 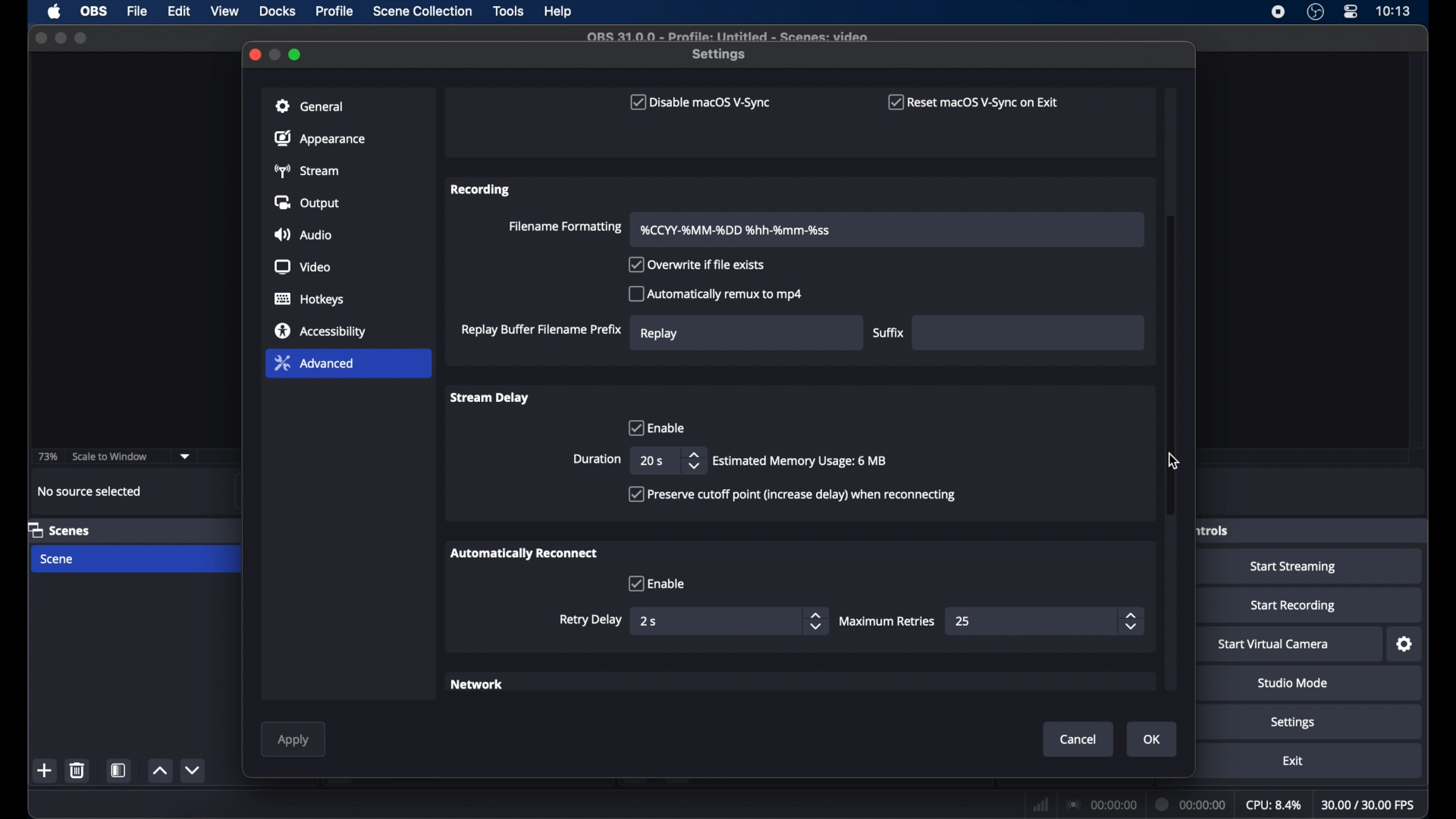 I want to click on 2s, so click(x=650, y=621).